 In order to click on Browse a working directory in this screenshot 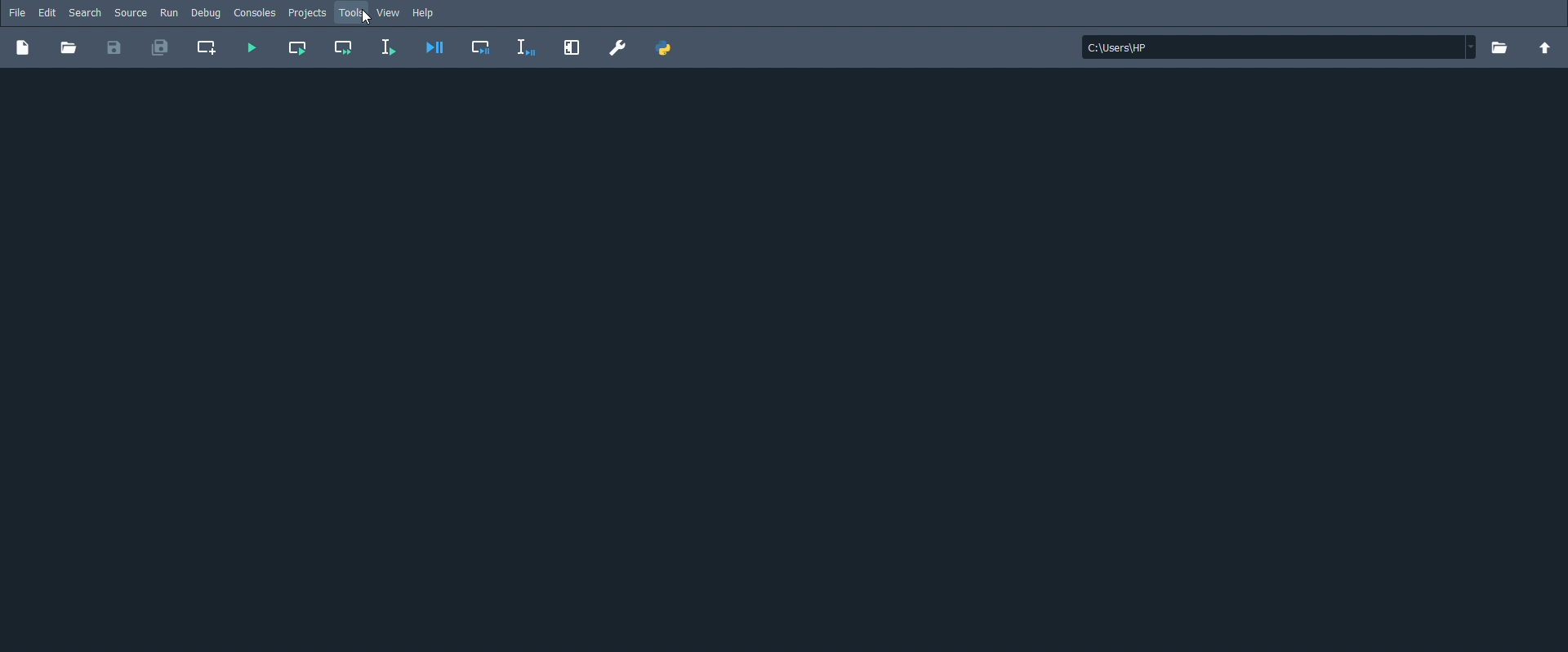, I will do `click(1500, 49)`.